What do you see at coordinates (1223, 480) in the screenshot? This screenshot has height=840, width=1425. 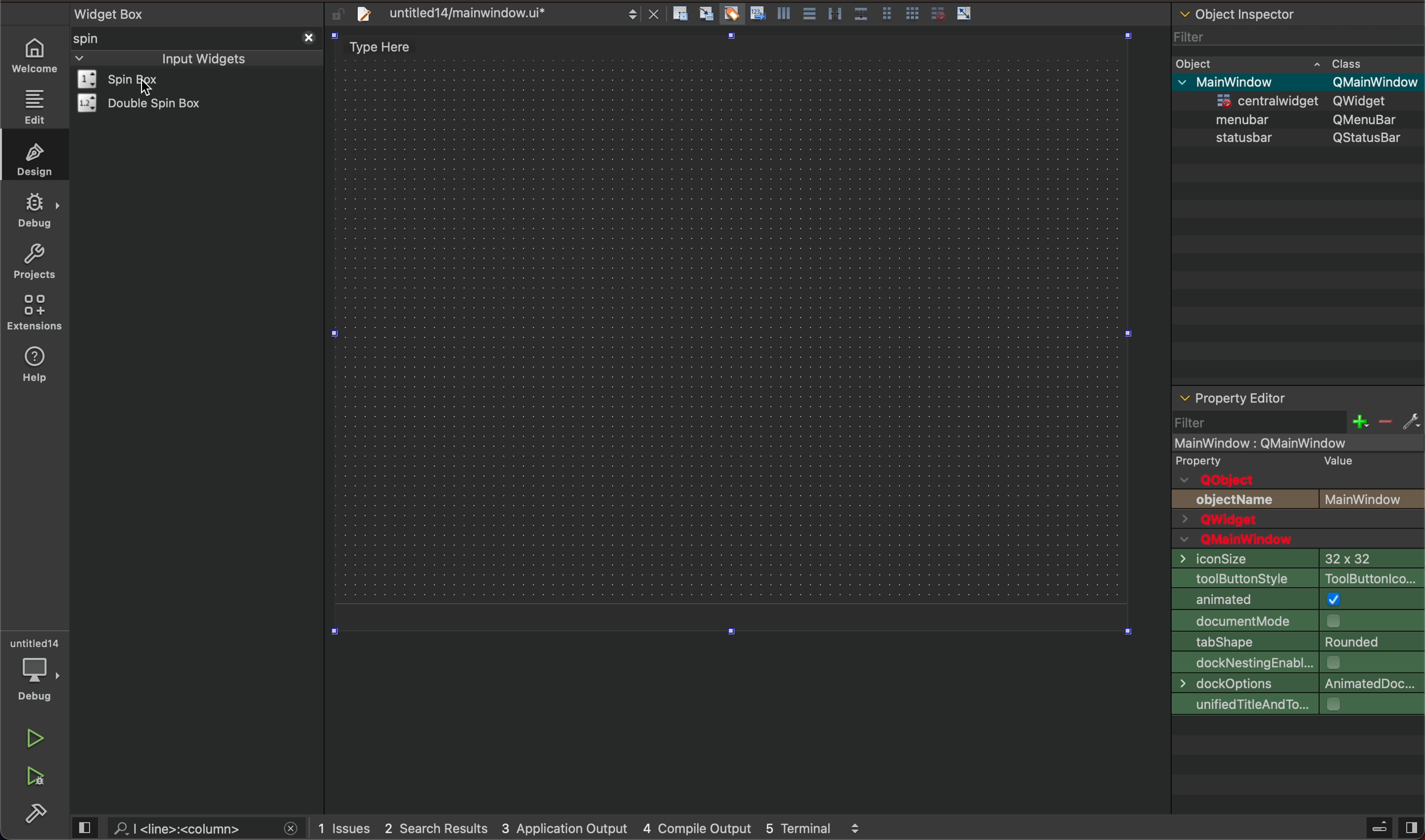 I see `text` at bounding box center [1223, 480].